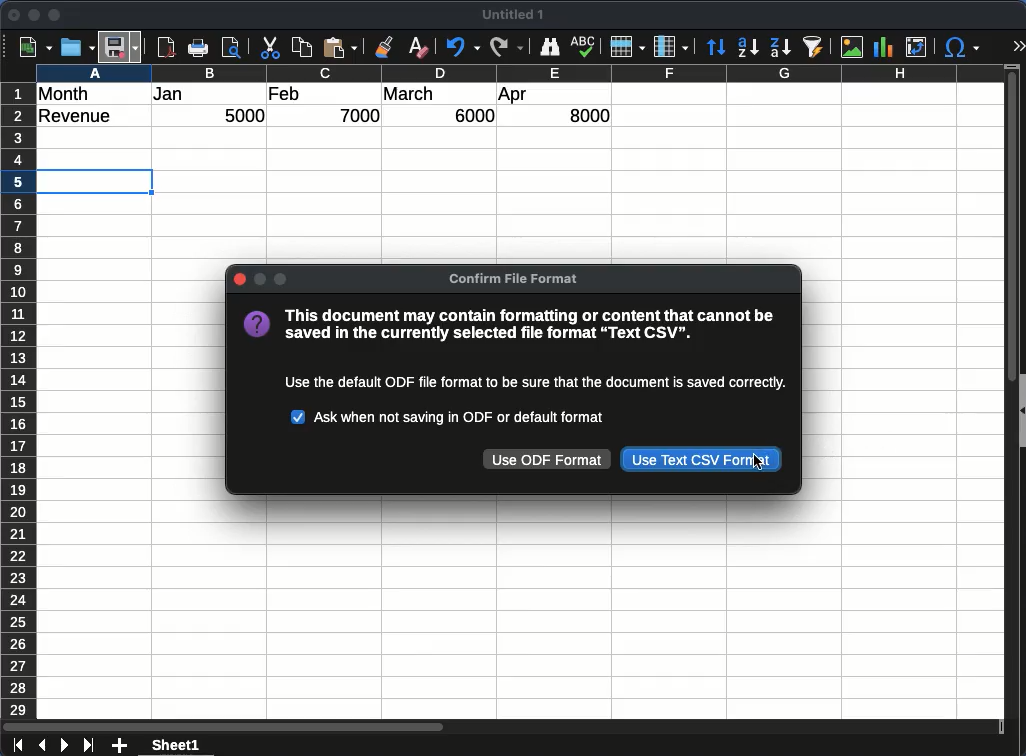  What do you see at coordinates (80, 117) in the screenshot?
I see `revenue` at bounding box center [80, 117].